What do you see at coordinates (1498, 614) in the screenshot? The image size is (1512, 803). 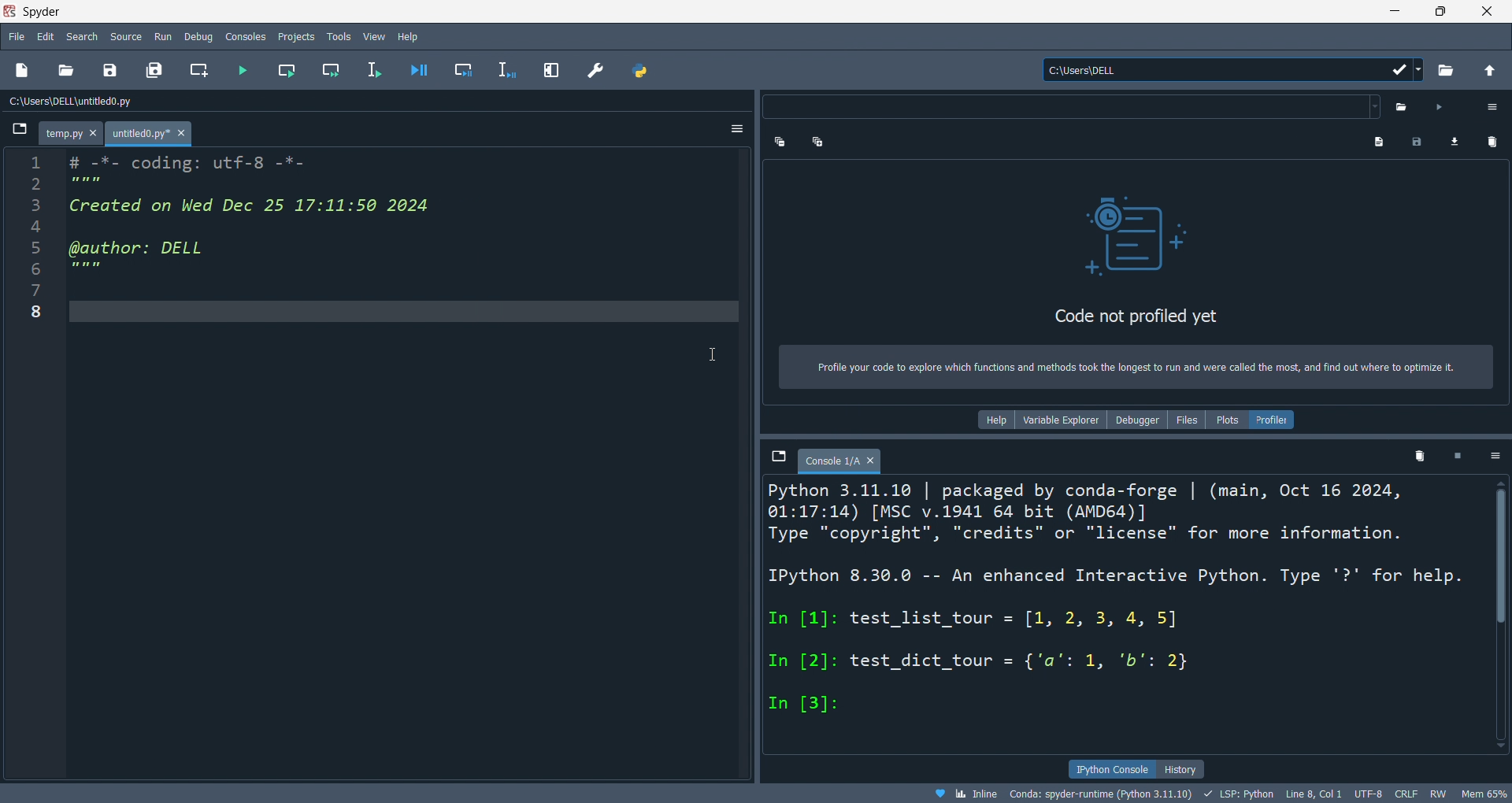 I see `vertical scrollbar` at bounding box center [1498, 614].